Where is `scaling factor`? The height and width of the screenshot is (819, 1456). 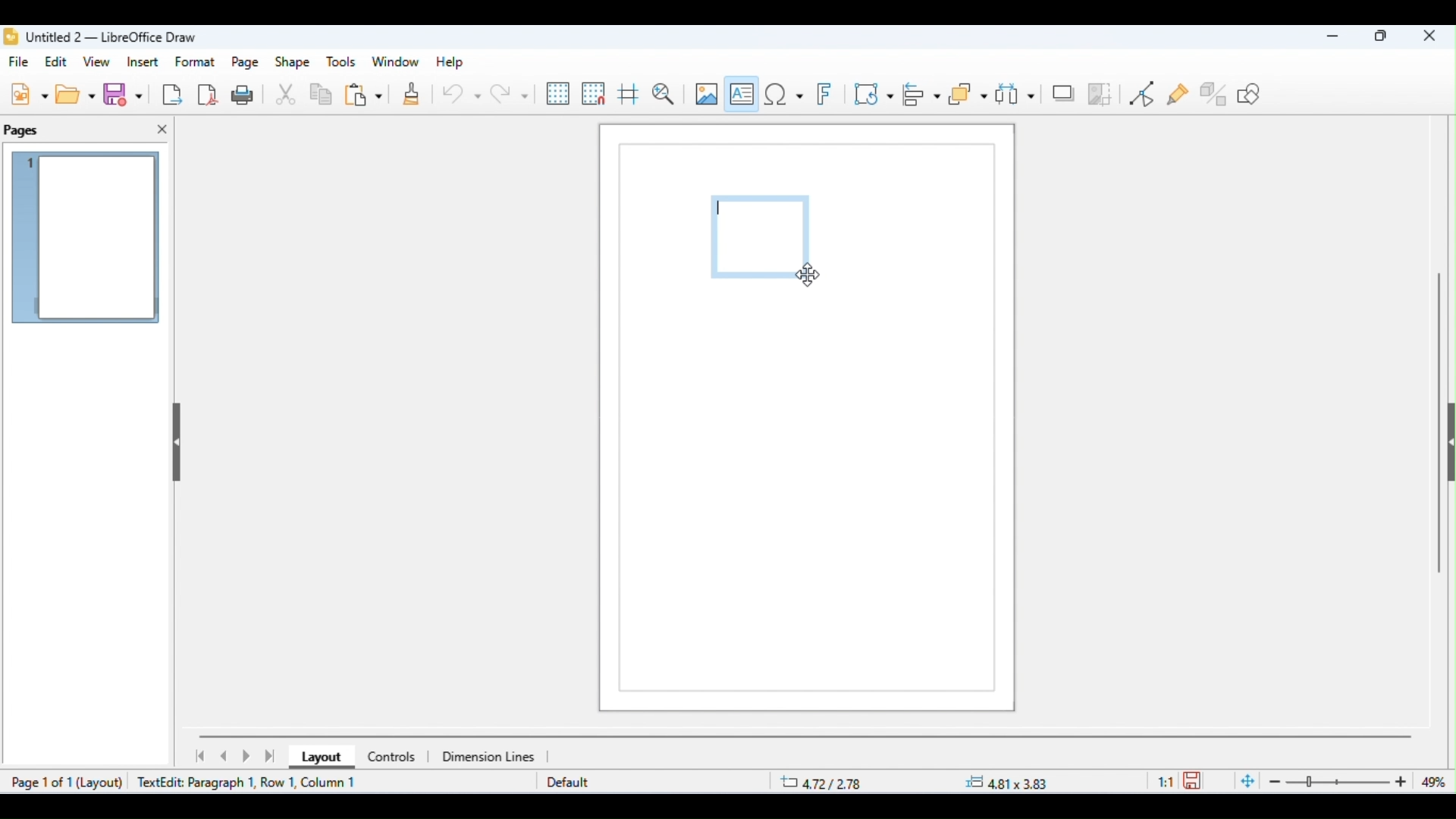 scaling factor is located at coordinates (1166, 780).